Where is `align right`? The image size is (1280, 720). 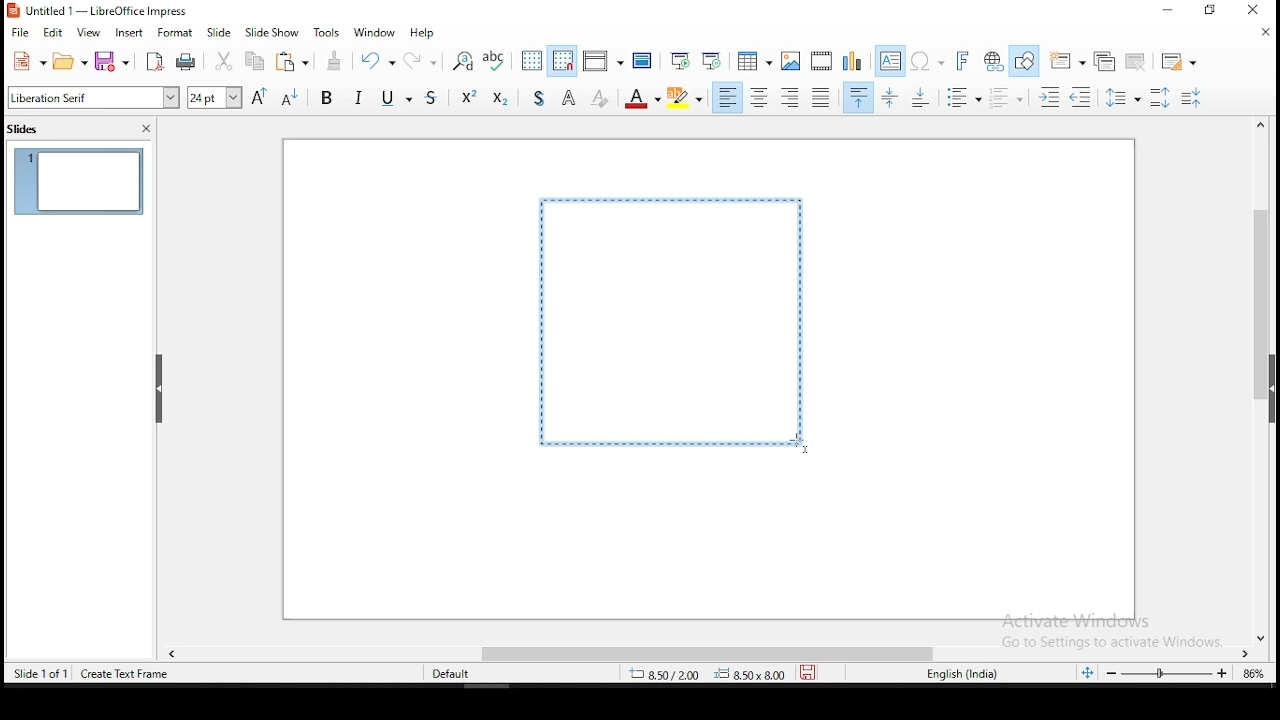 align right is located at coordinates (792, 99).